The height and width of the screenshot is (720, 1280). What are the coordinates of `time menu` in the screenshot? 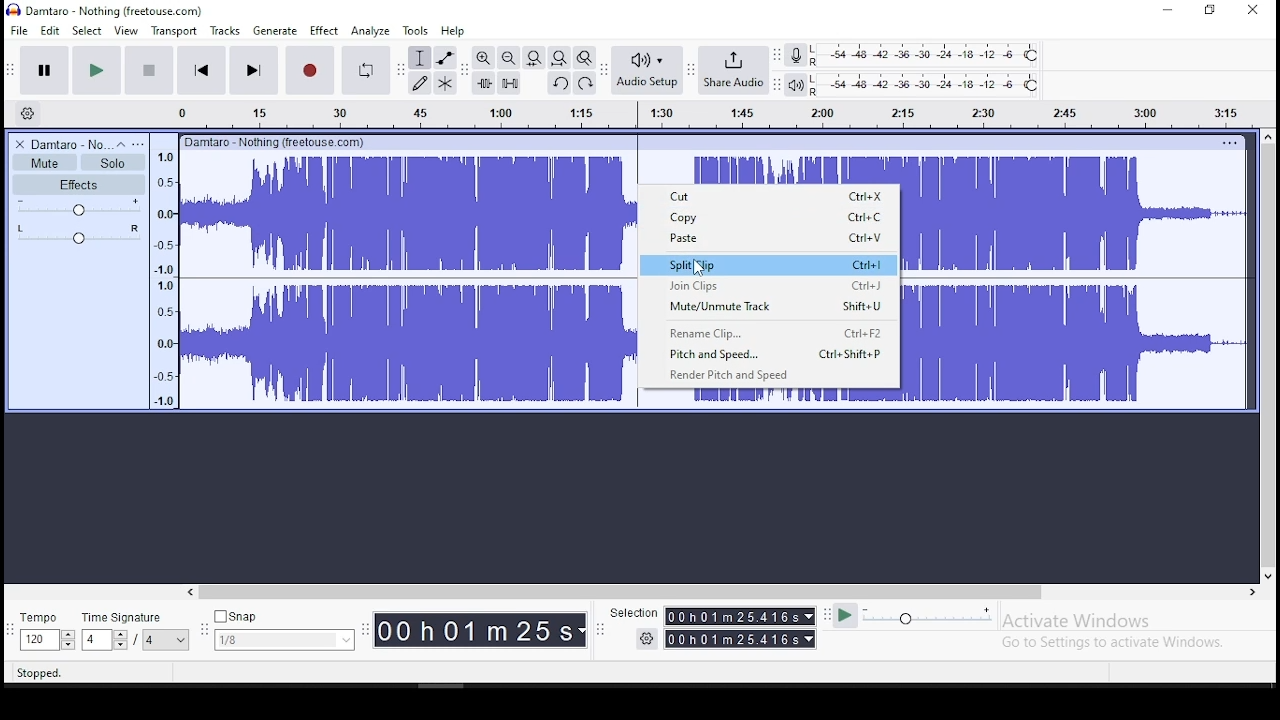 It's located at (479, 629).